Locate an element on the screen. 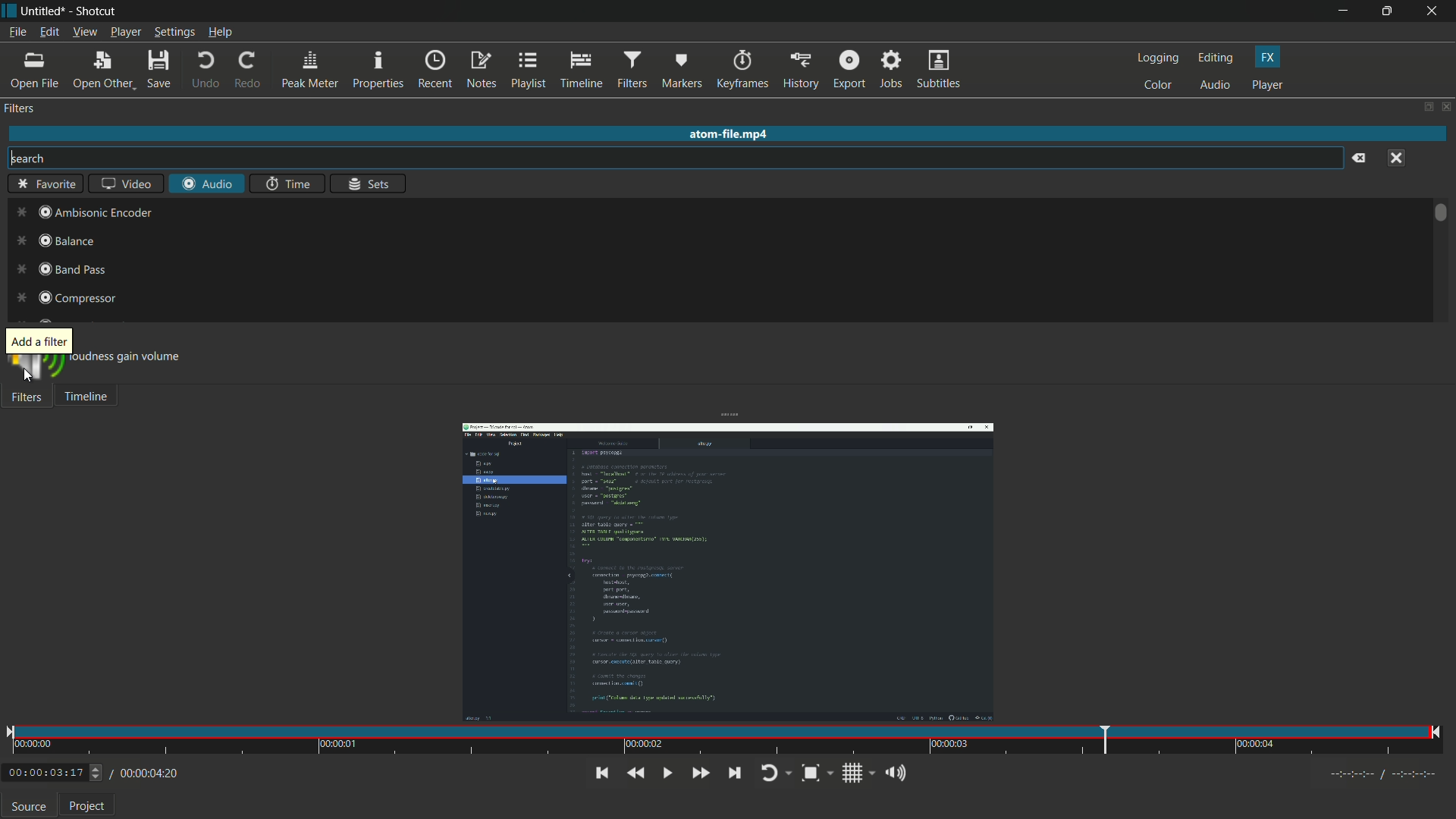  skip to next point is located at coordinates (734, 773).